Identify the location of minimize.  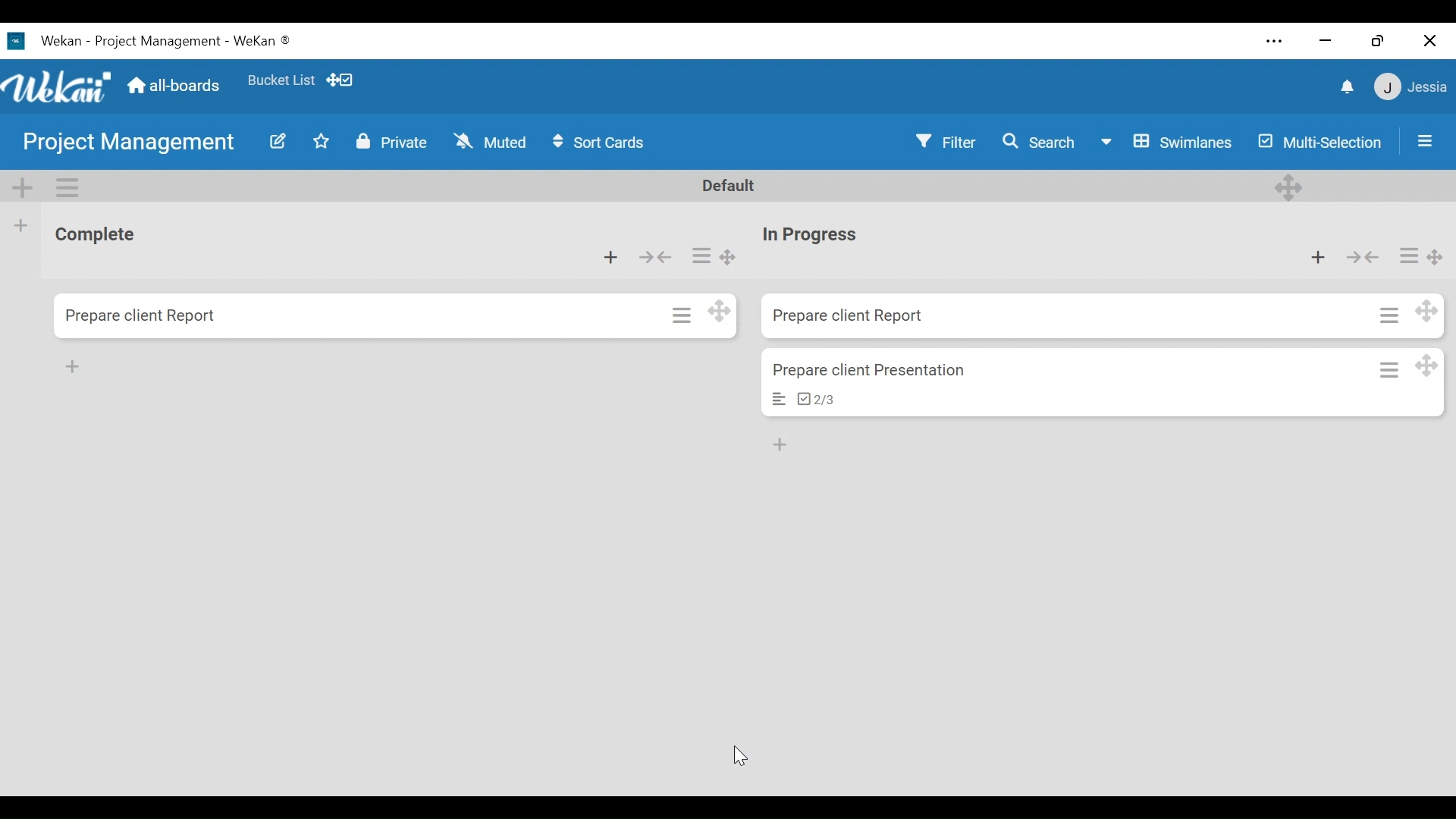
(1326, 40).